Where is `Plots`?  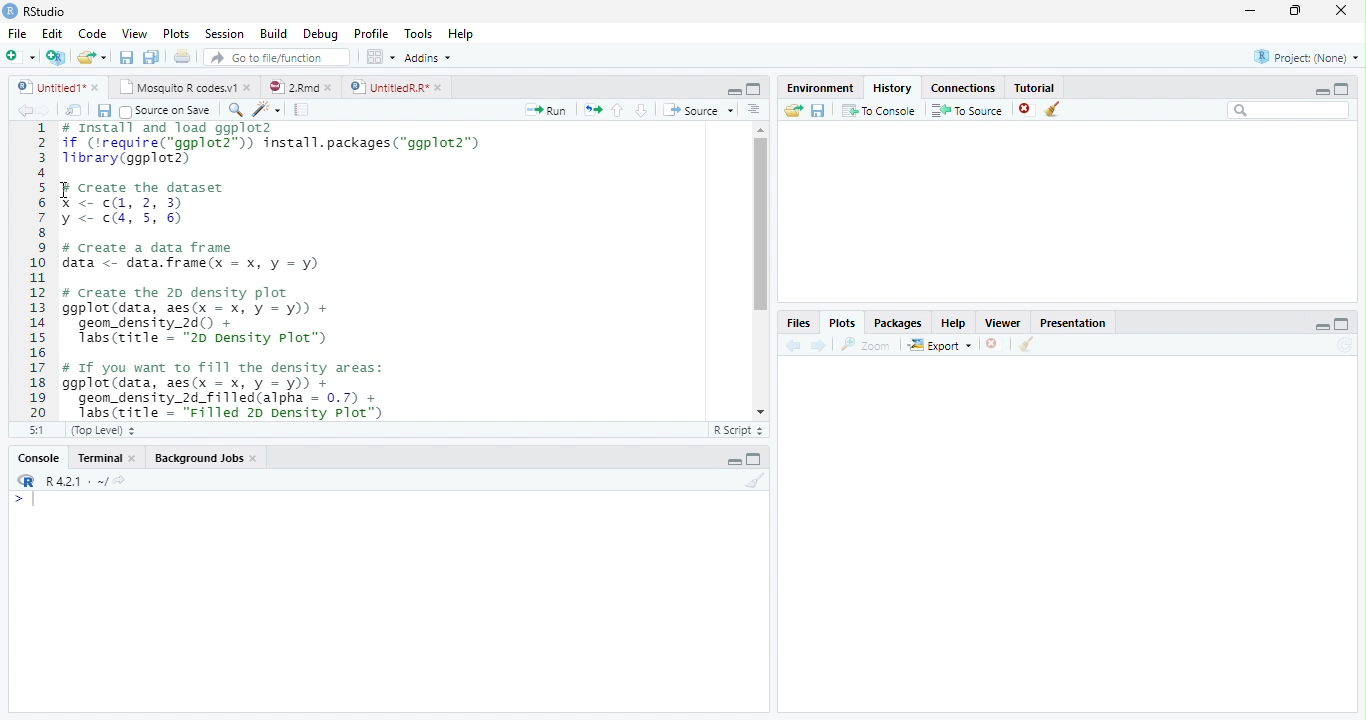
Plots is located at coordinates (841, 322).